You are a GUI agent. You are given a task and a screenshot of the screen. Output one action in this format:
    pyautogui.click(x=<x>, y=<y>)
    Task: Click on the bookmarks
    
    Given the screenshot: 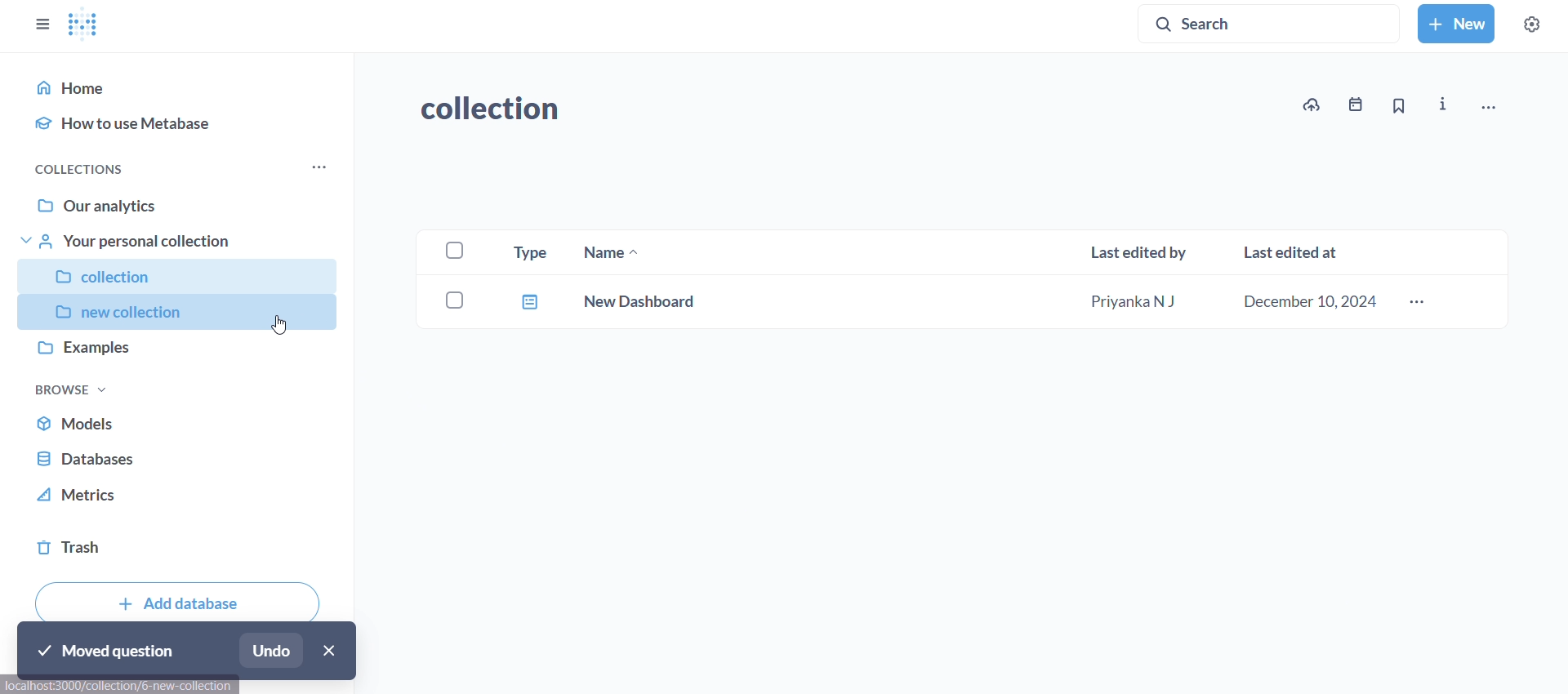 What is the action you would take?
    pyautogui.click(x=1396, y=107)
    